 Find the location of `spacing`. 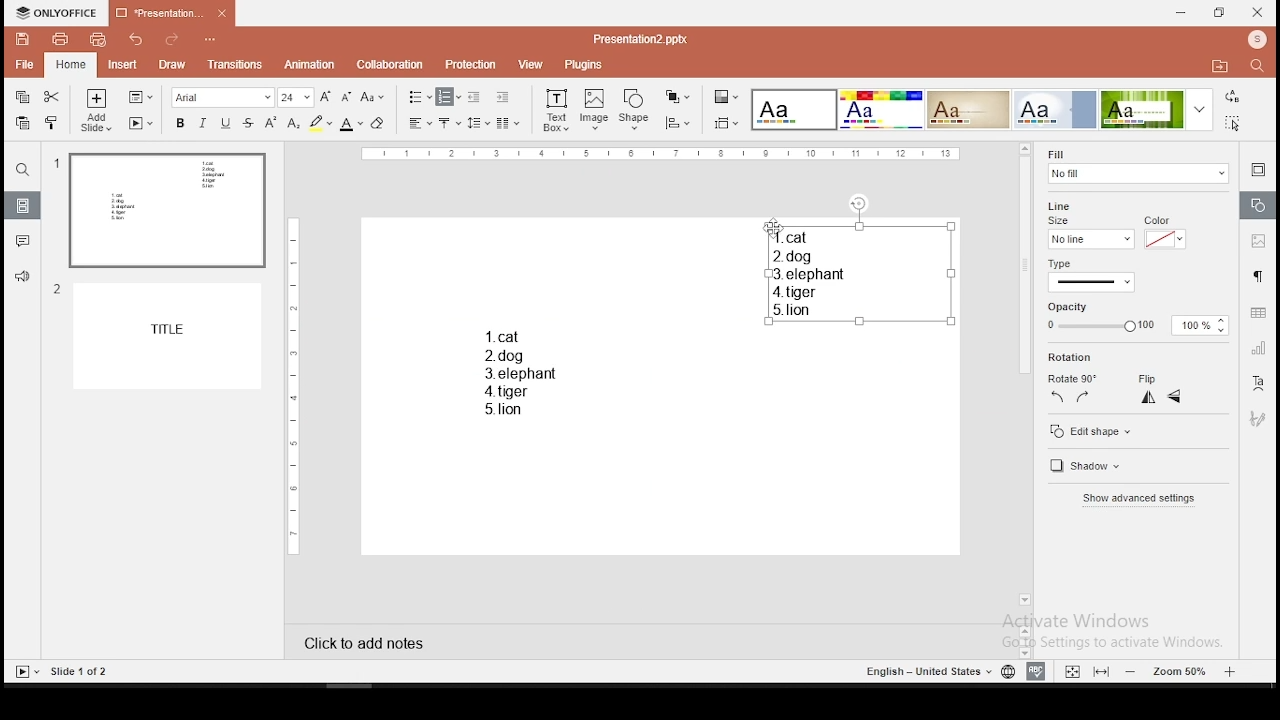

spacing is located at coordinates (479, 122).